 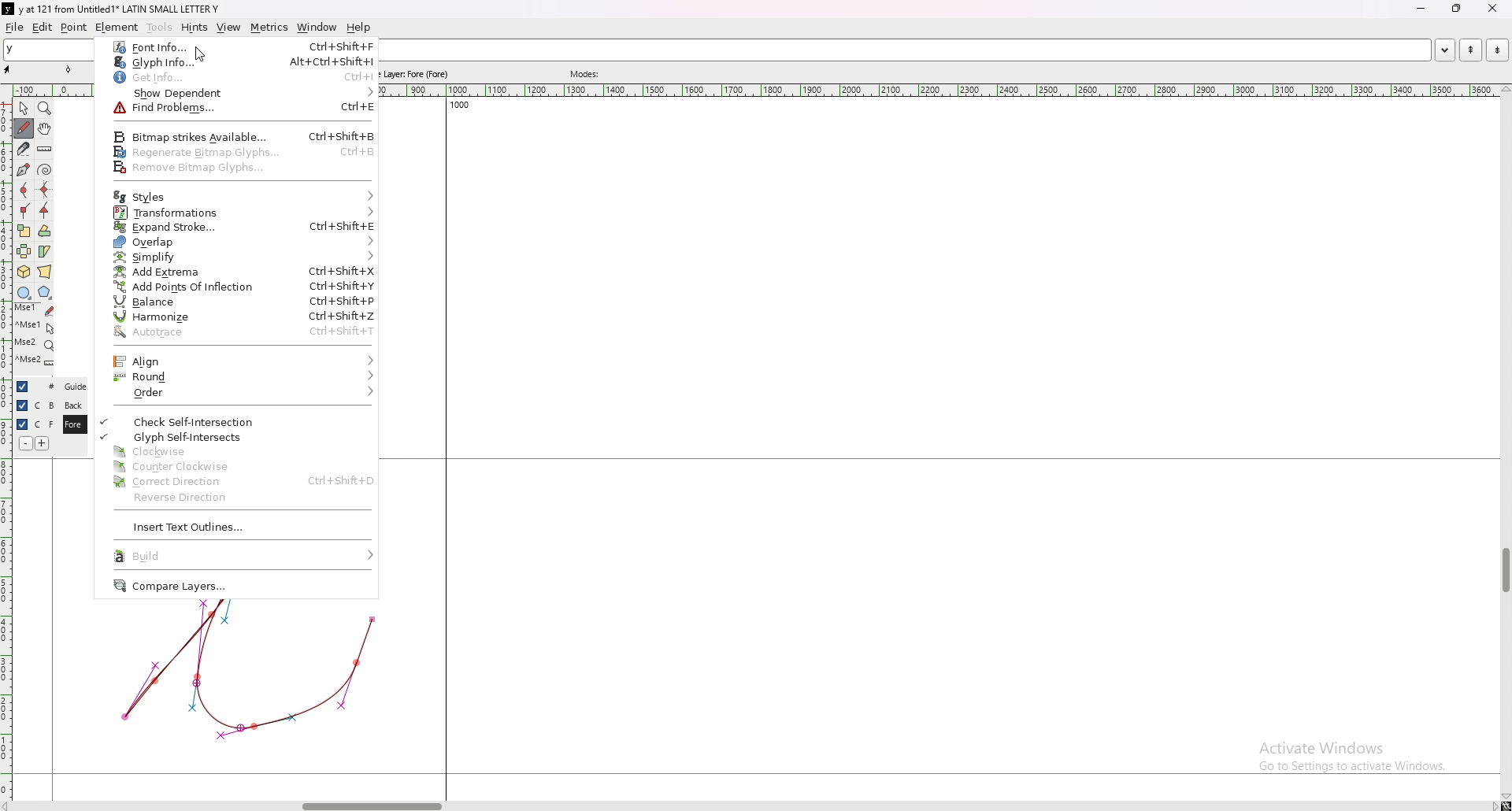 What do you see at coordinates (1444, 50) in the screenshot?
I see `open word list` at bounding box center [1444, 50].